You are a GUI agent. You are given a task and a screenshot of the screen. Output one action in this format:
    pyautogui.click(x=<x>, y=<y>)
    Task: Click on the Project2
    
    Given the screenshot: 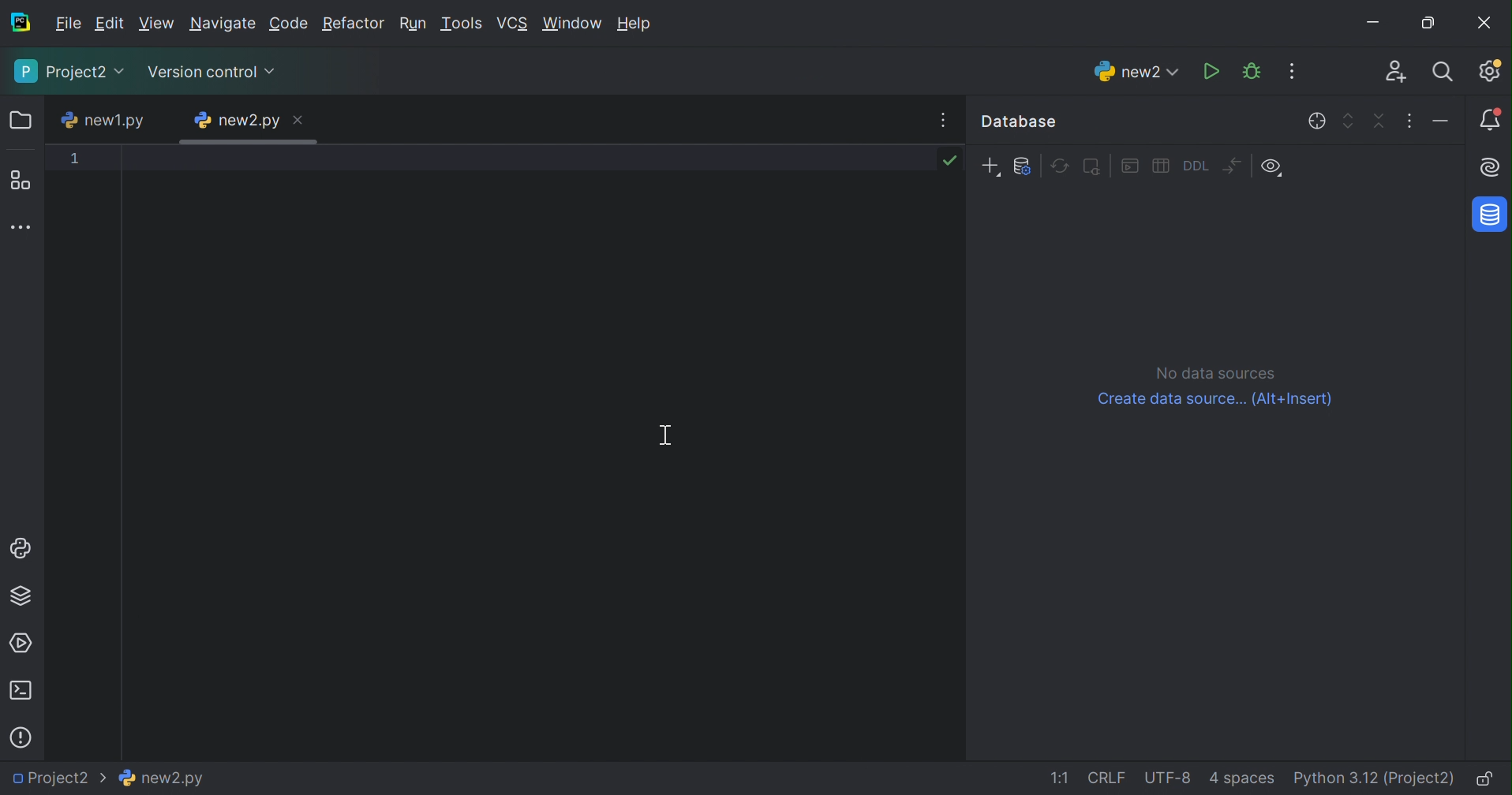 What is the action you would take?
    pyautogui.click(x=58, y=778)
    